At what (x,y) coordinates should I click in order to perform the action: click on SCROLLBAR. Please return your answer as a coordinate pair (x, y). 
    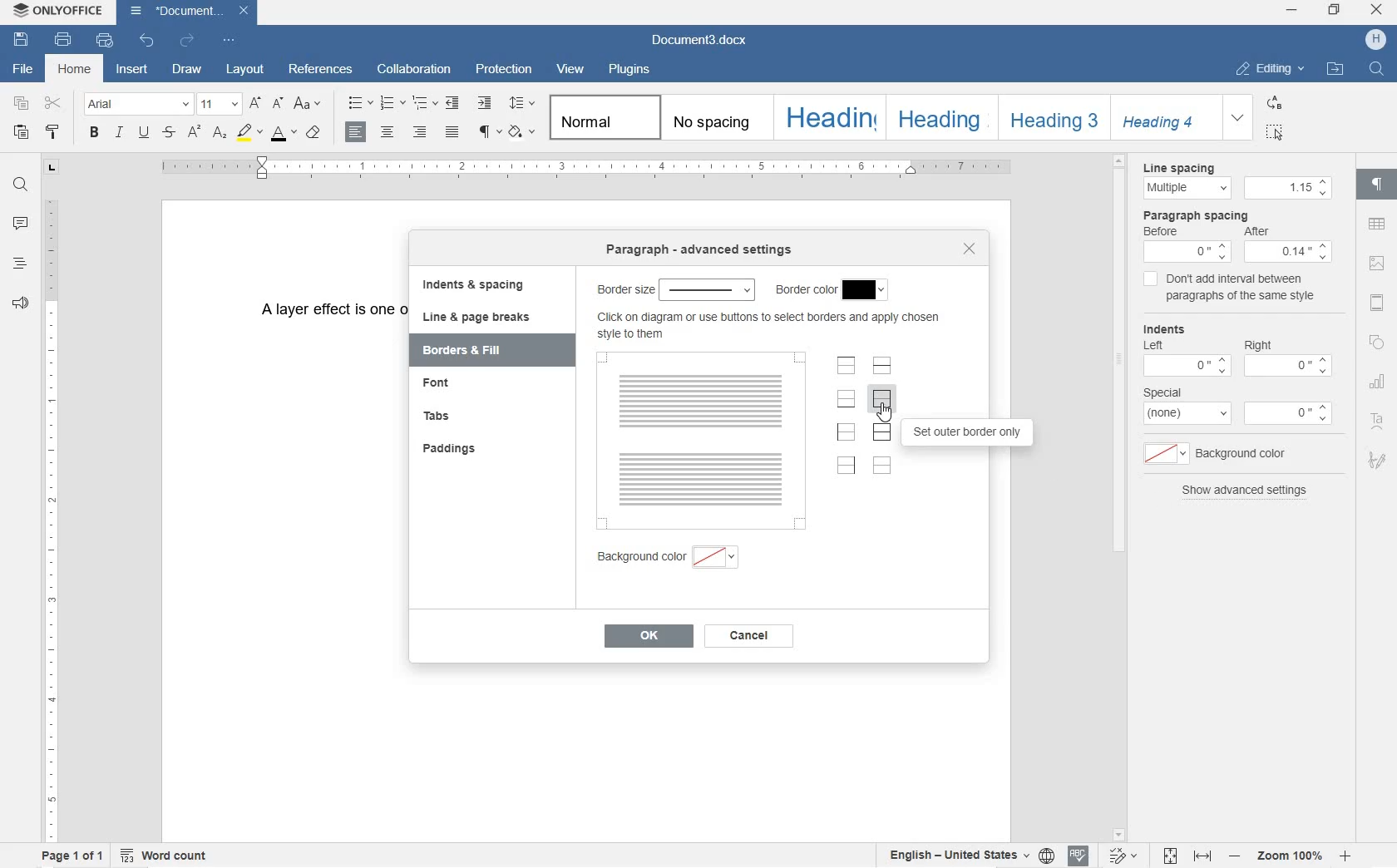
    Looking at the image, I should click on (1121, 496).